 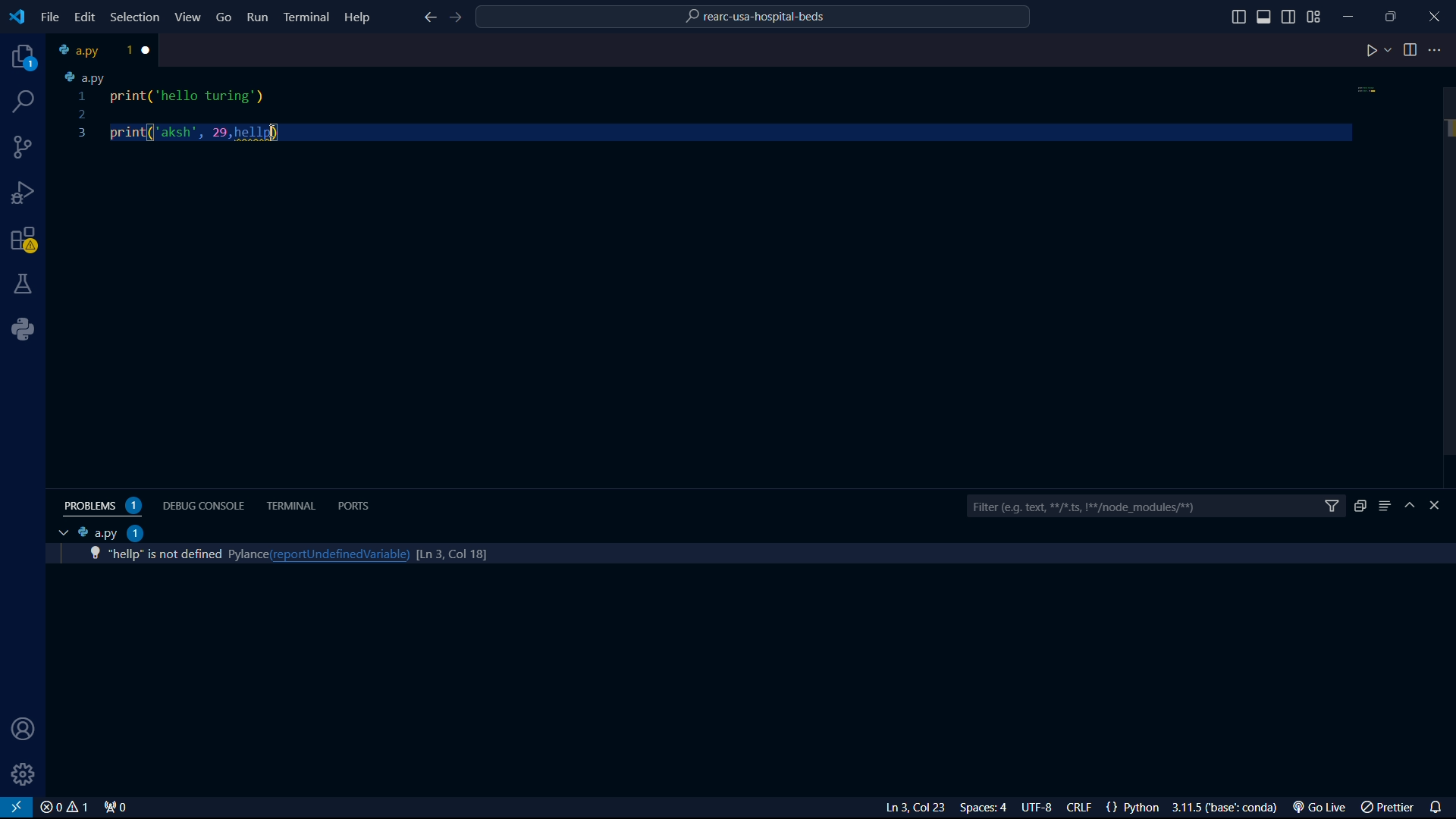 I want to click on VS, so click(x=17, y=808).